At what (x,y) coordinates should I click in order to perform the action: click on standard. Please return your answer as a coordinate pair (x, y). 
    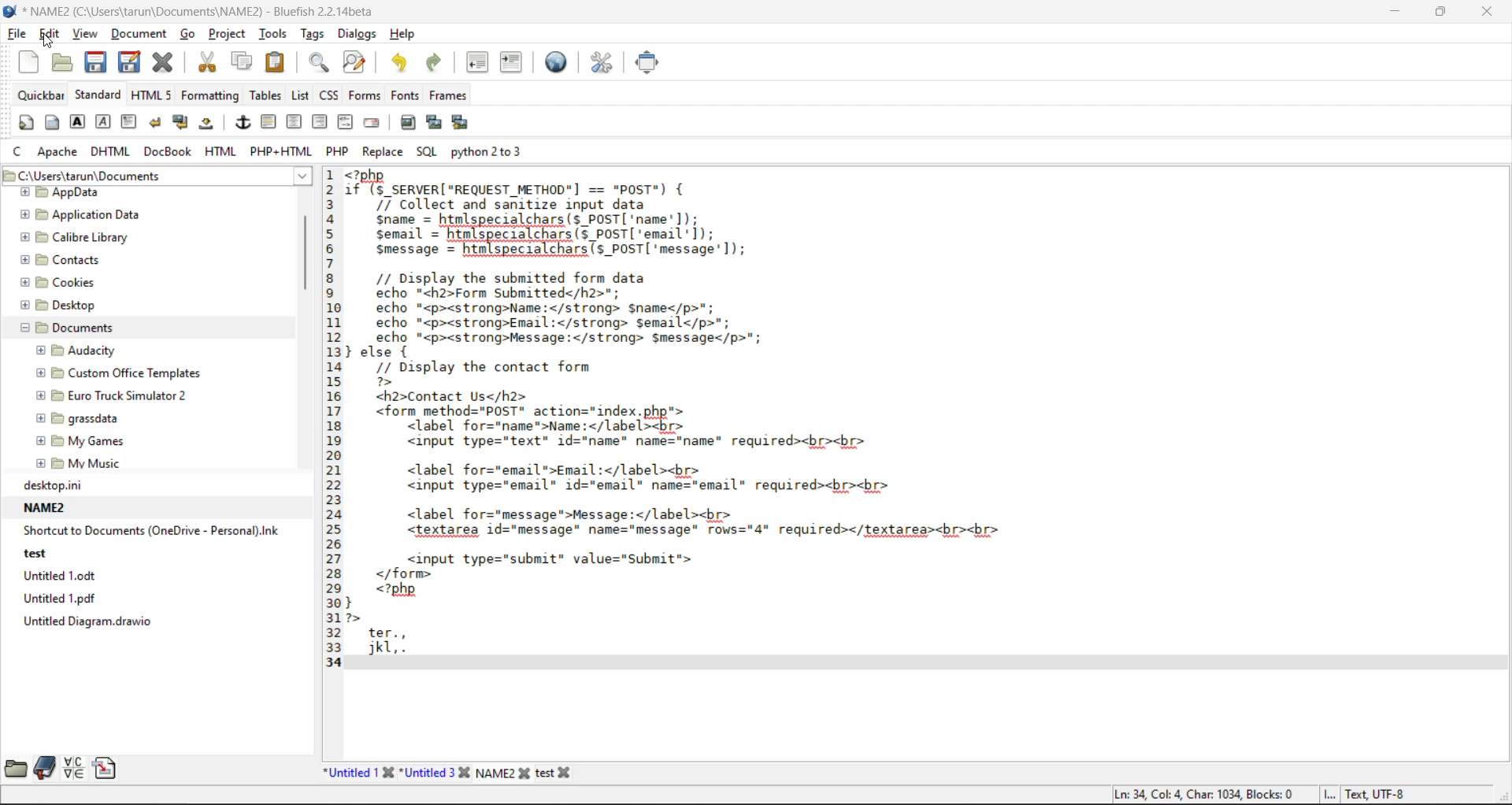
    Looking at the image, I should click on (100, 95).